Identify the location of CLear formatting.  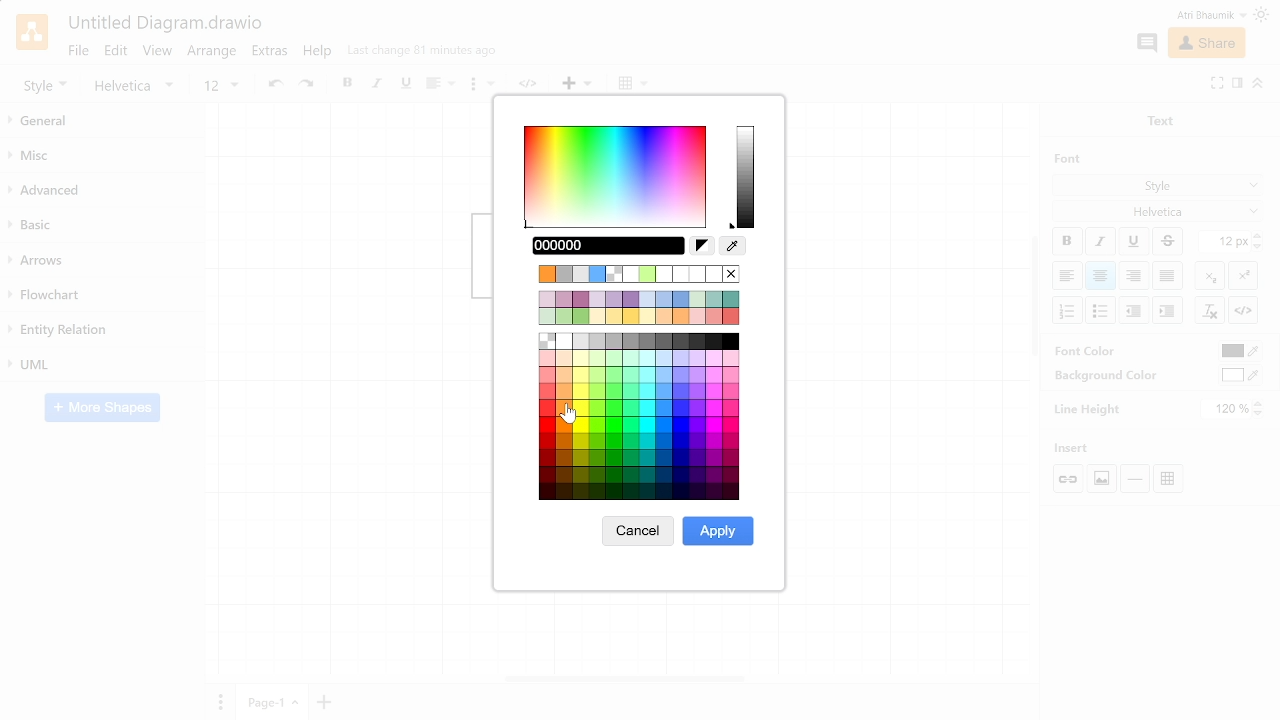
(1209, 311).